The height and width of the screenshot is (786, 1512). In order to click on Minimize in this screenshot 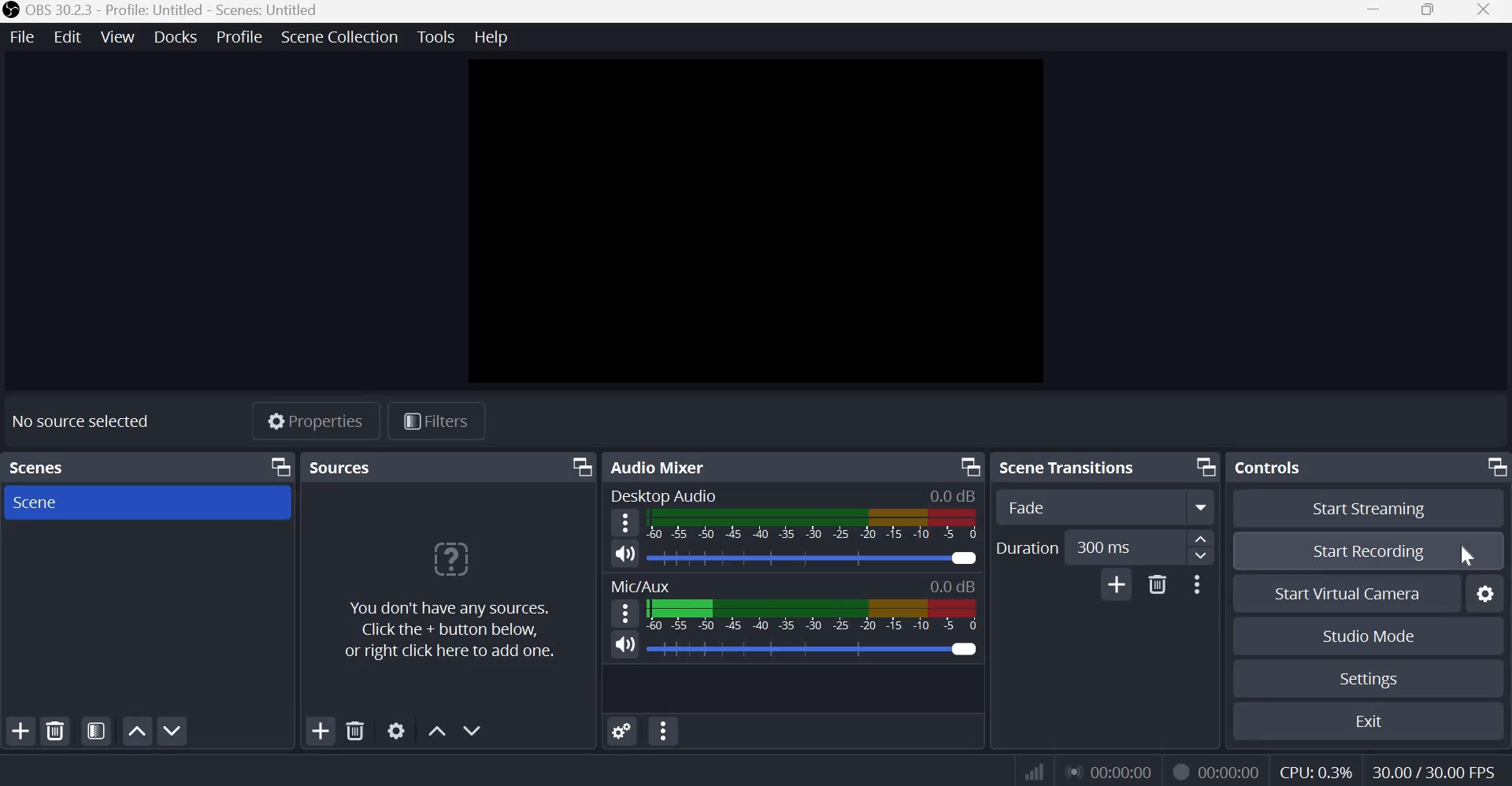, I will do `click(1376, 11)`.